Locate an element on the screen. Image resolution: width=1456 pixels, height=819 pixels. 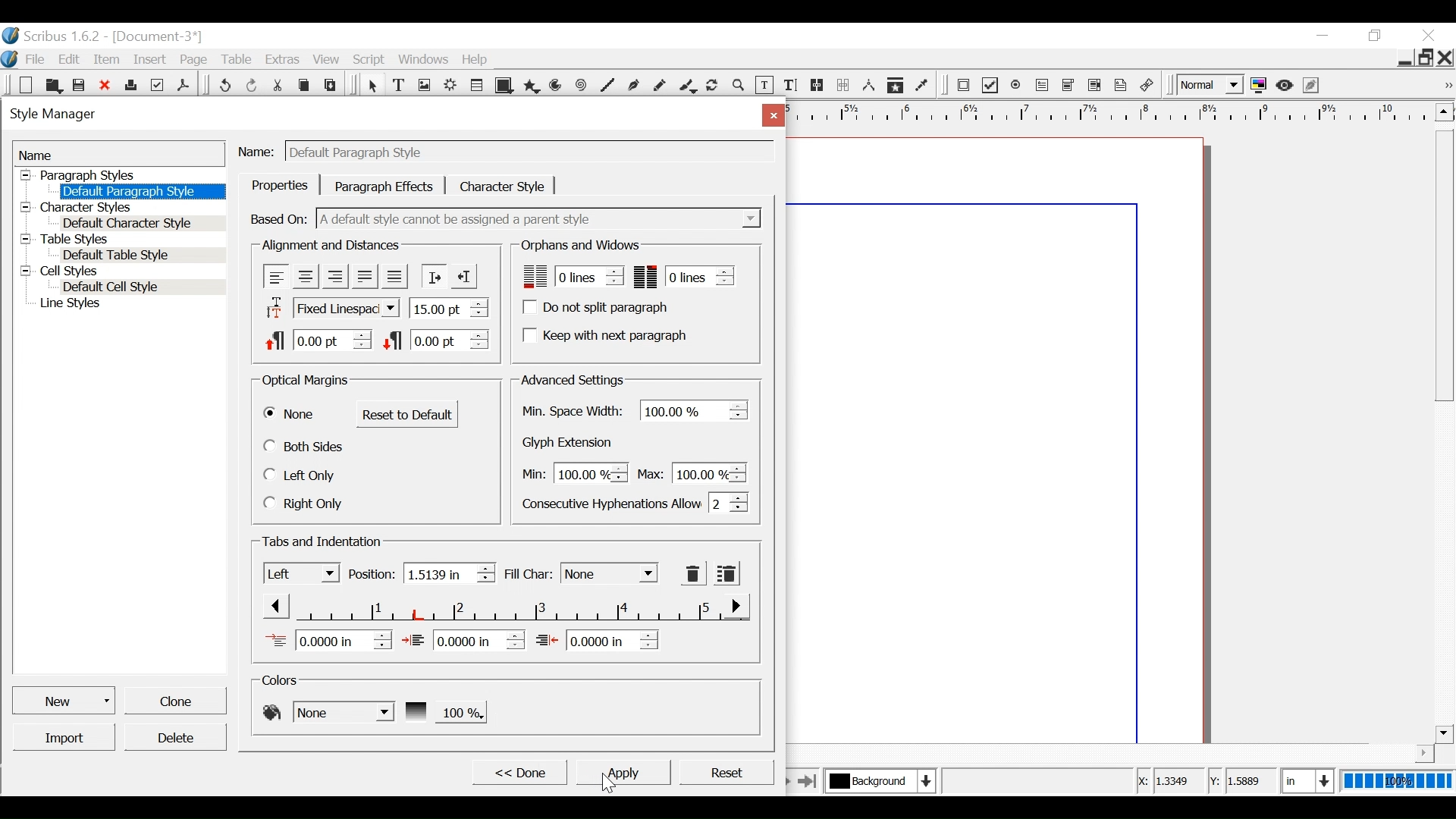
Select is located at coordinates (372, 86).